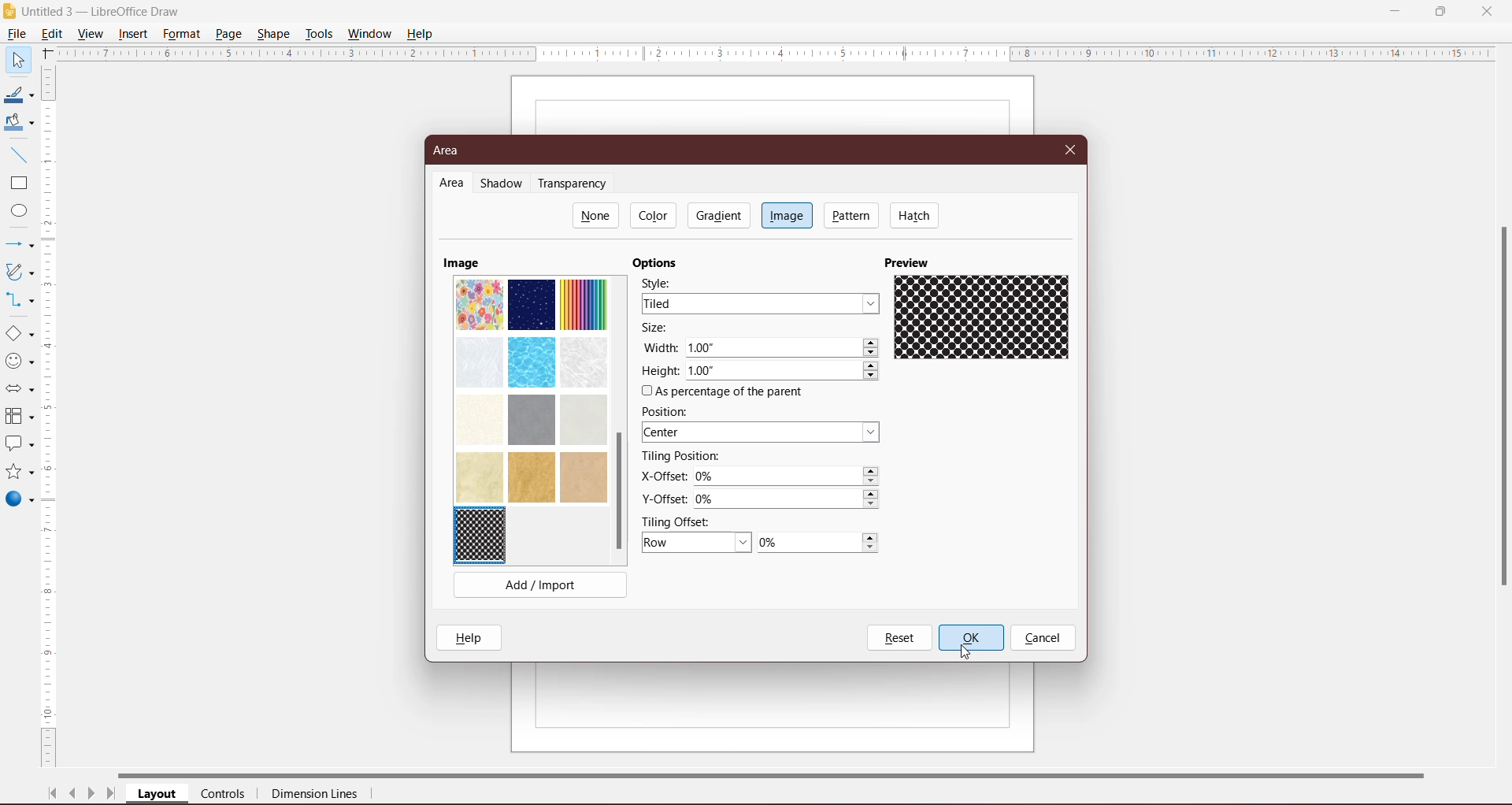  What do you see at coordinates (18, 391) in the screenshot?
I see `Block Arrows` at bounding box center [18, 391].